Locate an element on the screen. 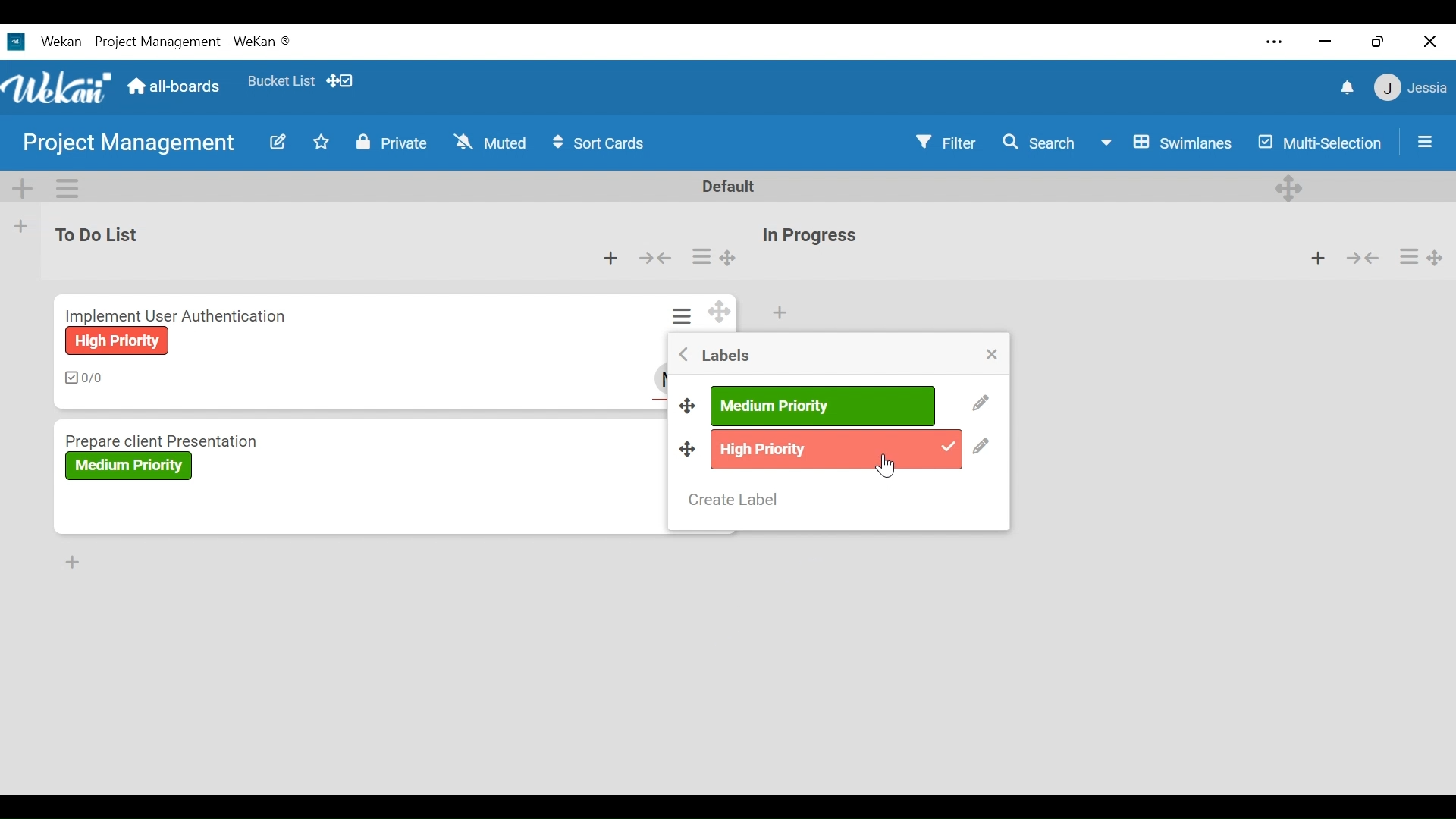  Favorites is located at coordinates (281, 80).